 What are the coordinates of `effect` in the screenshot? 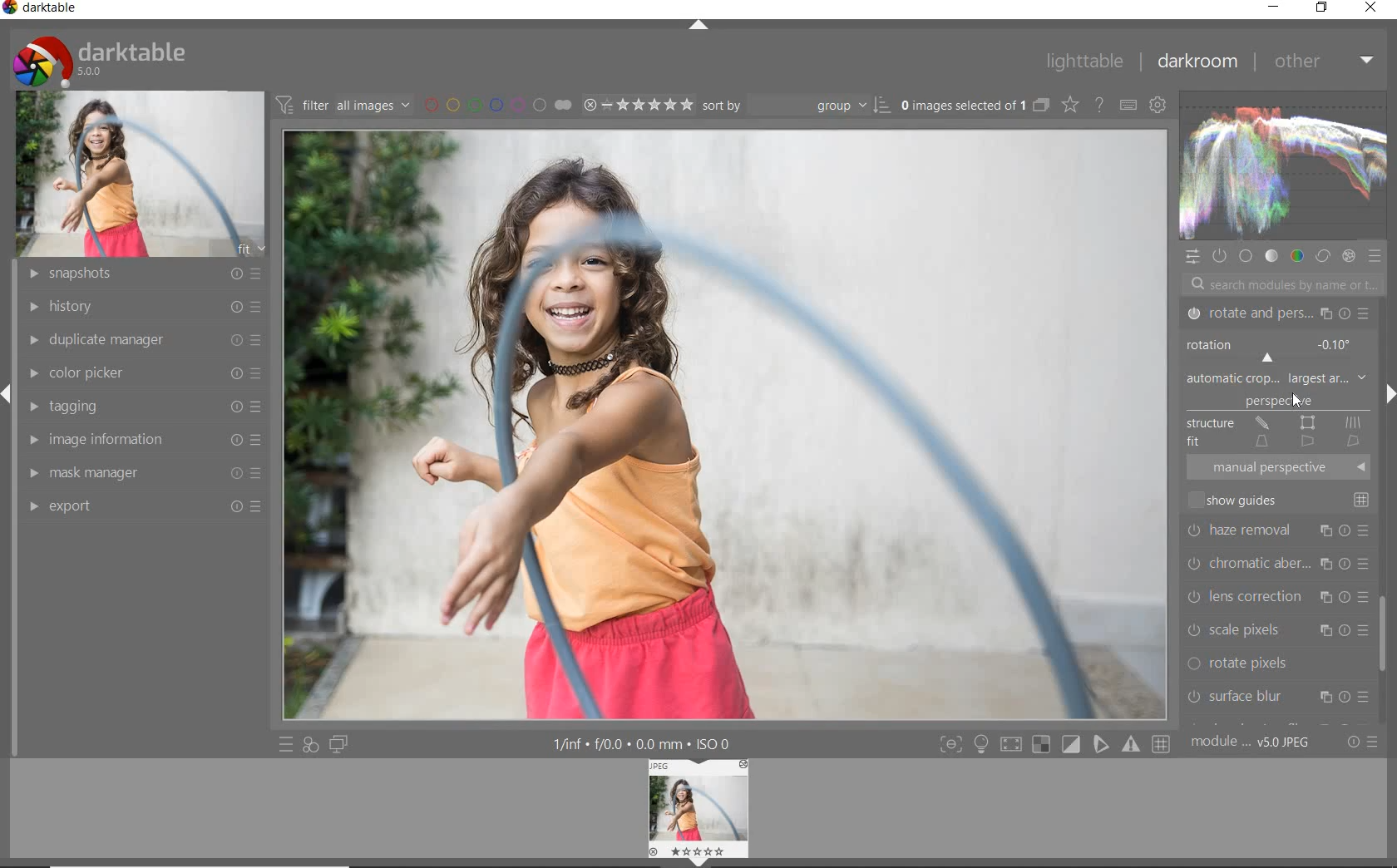 It's located at (1350, 258).